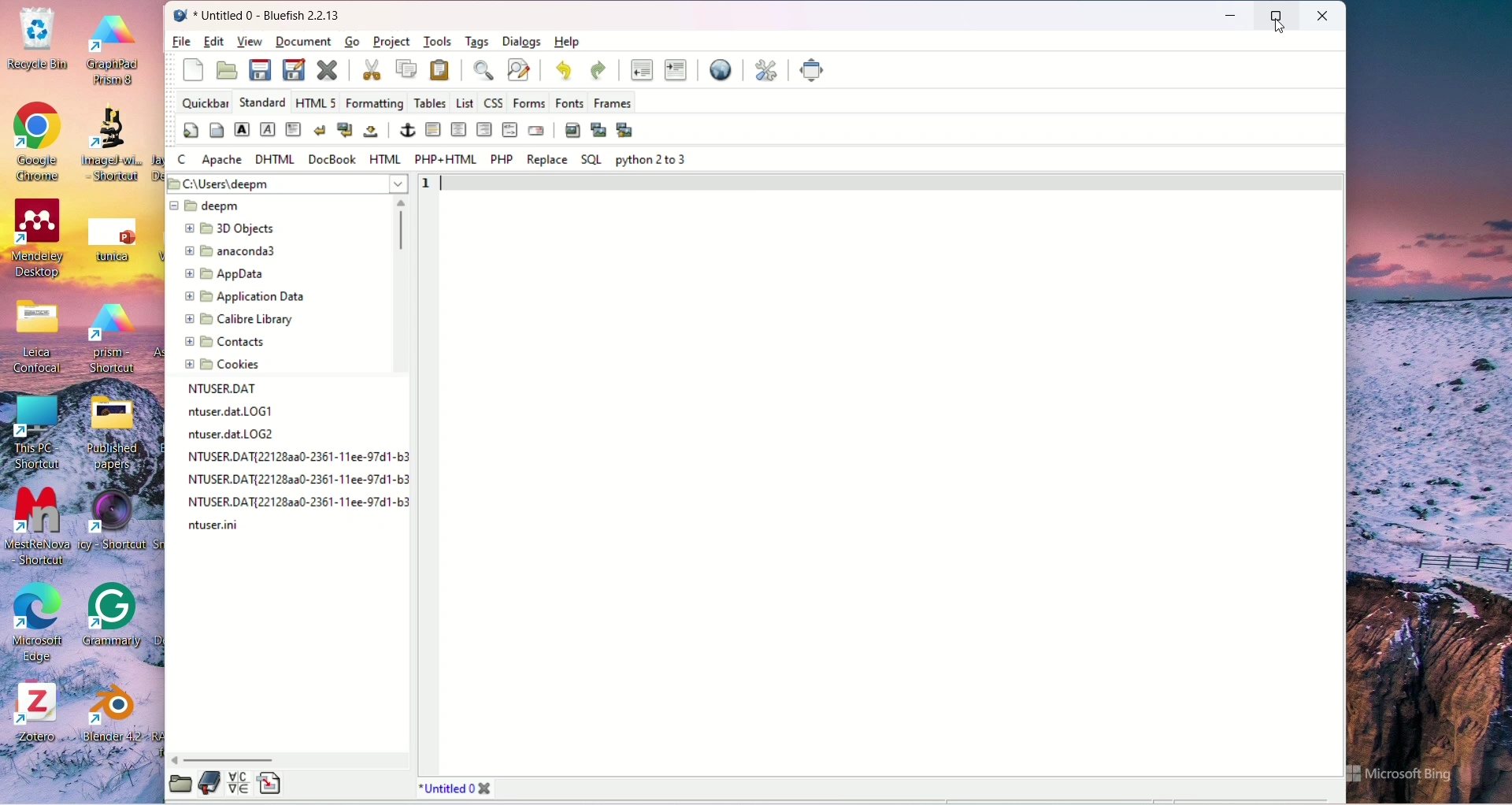 The height and width of the screenshot is (805, 1512). What do you see at coordinates (113, 49) in the screenshot?
I see `graph pad prism 8` at bounding box center [113, 49].